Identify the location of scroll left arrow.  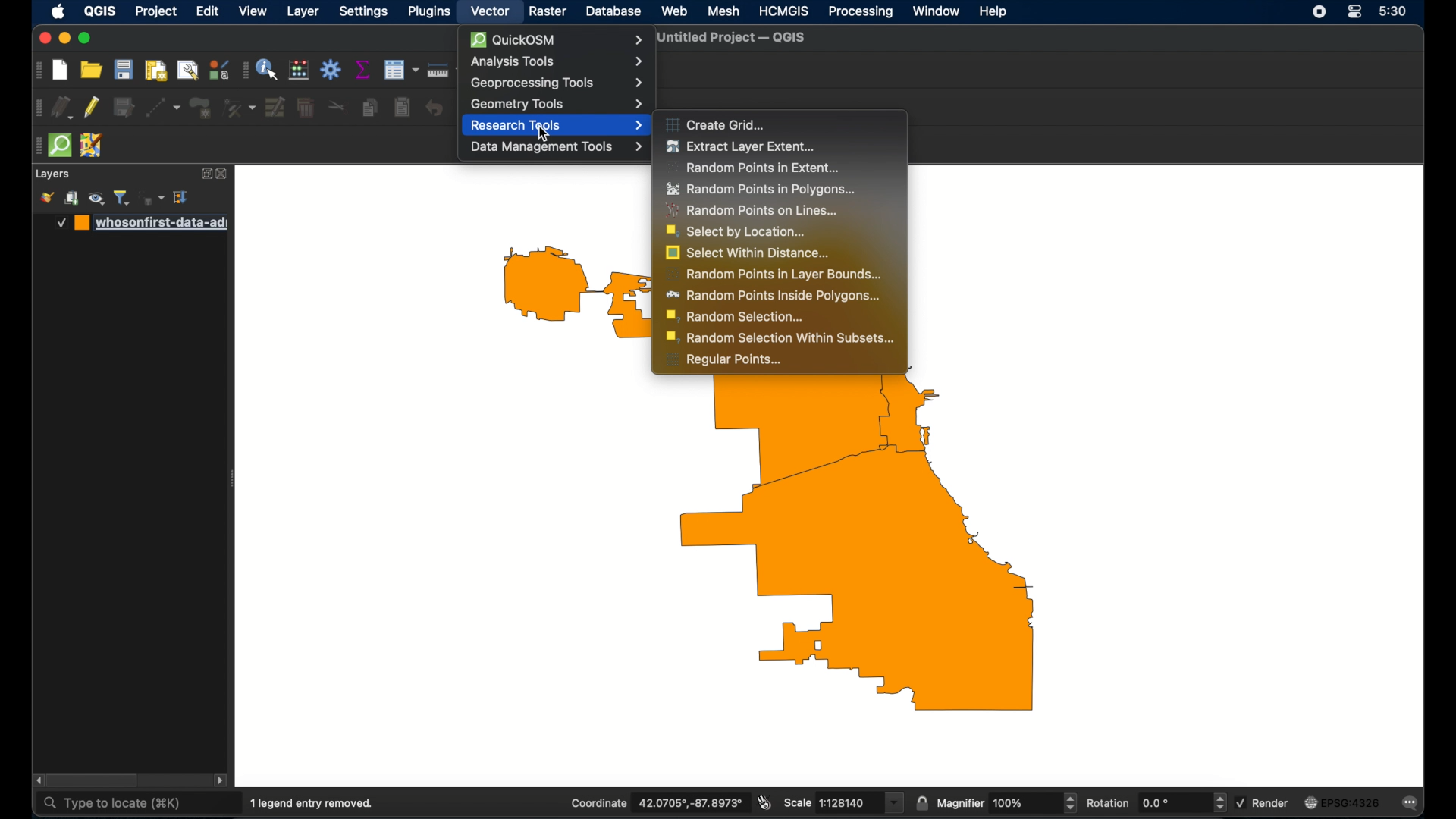
(37, 780).